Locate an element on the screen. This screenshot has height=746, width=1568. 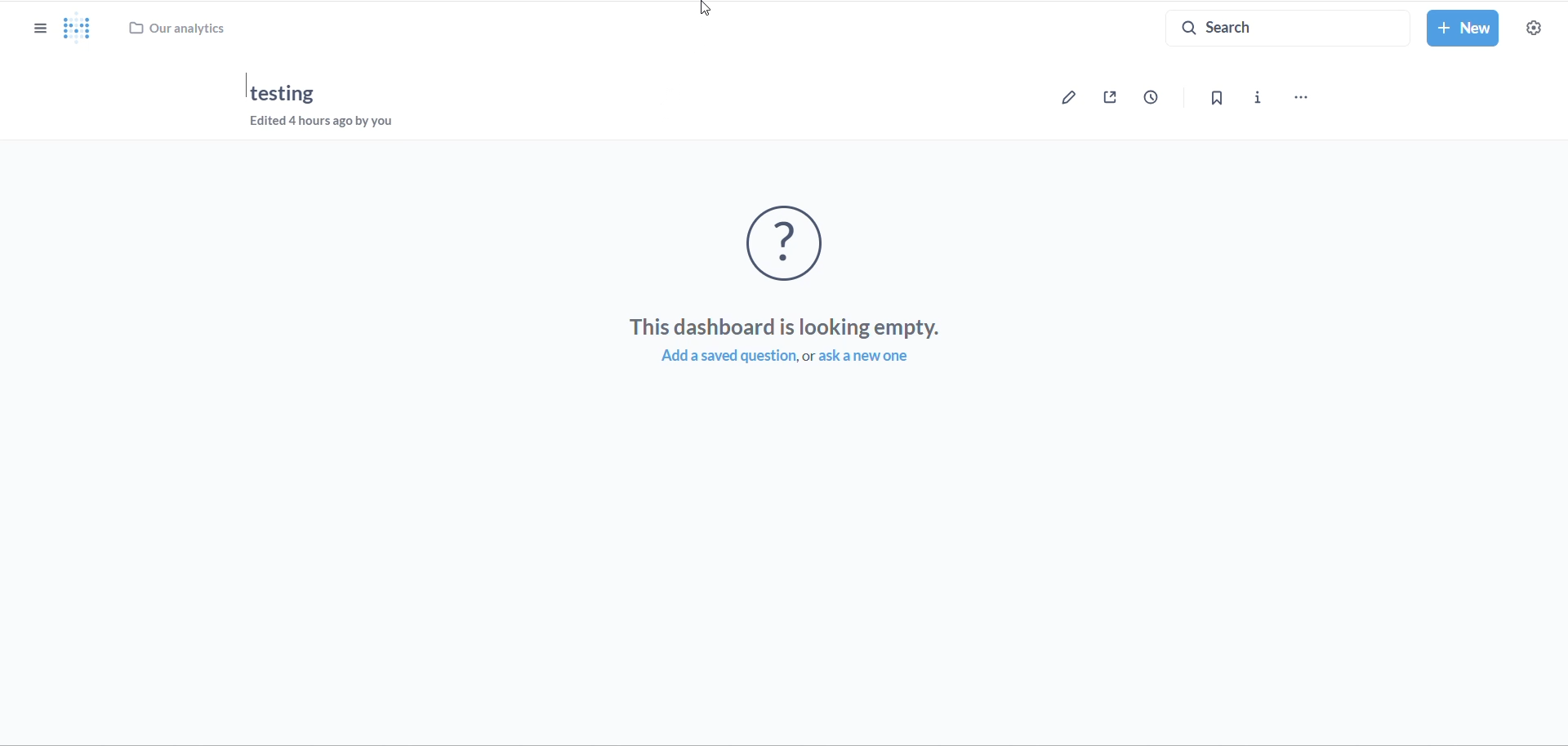
info is located at coordinates (1257, 97).